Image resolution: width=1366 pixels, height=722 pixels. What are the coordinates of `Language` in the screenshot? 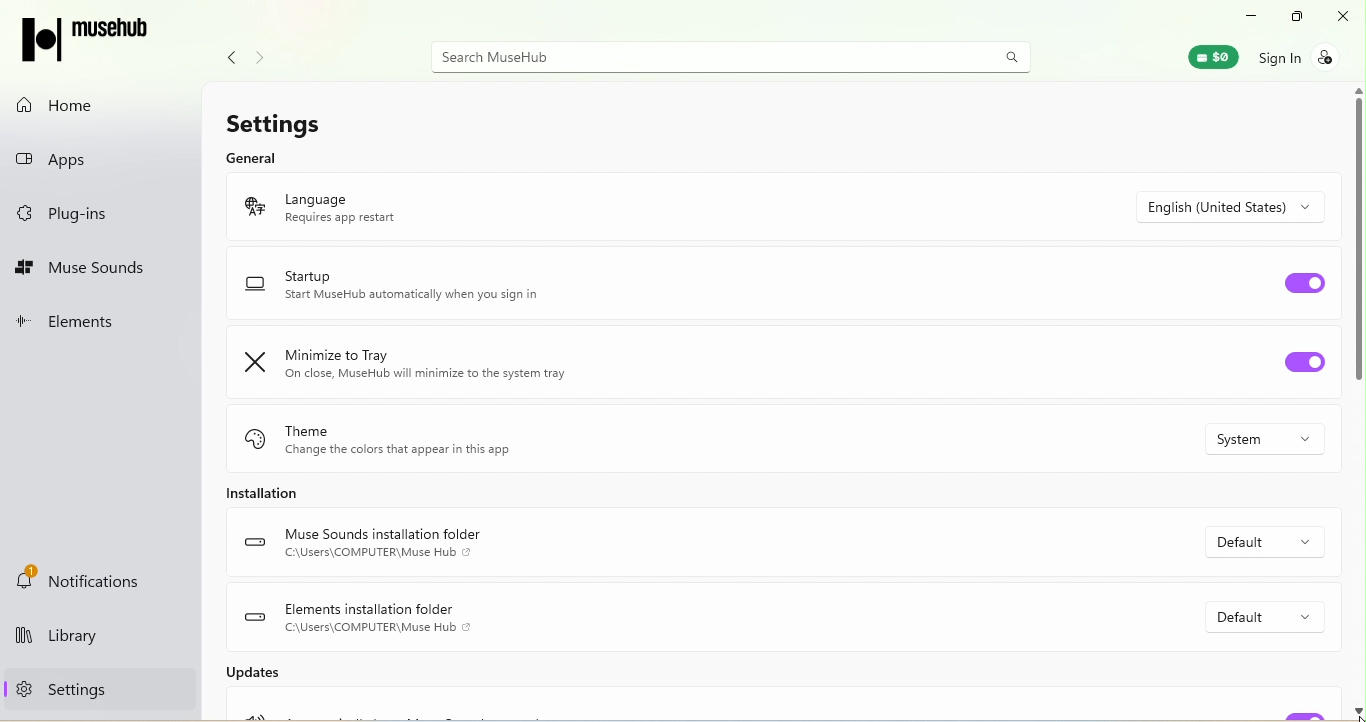 It's located at (315, 199).